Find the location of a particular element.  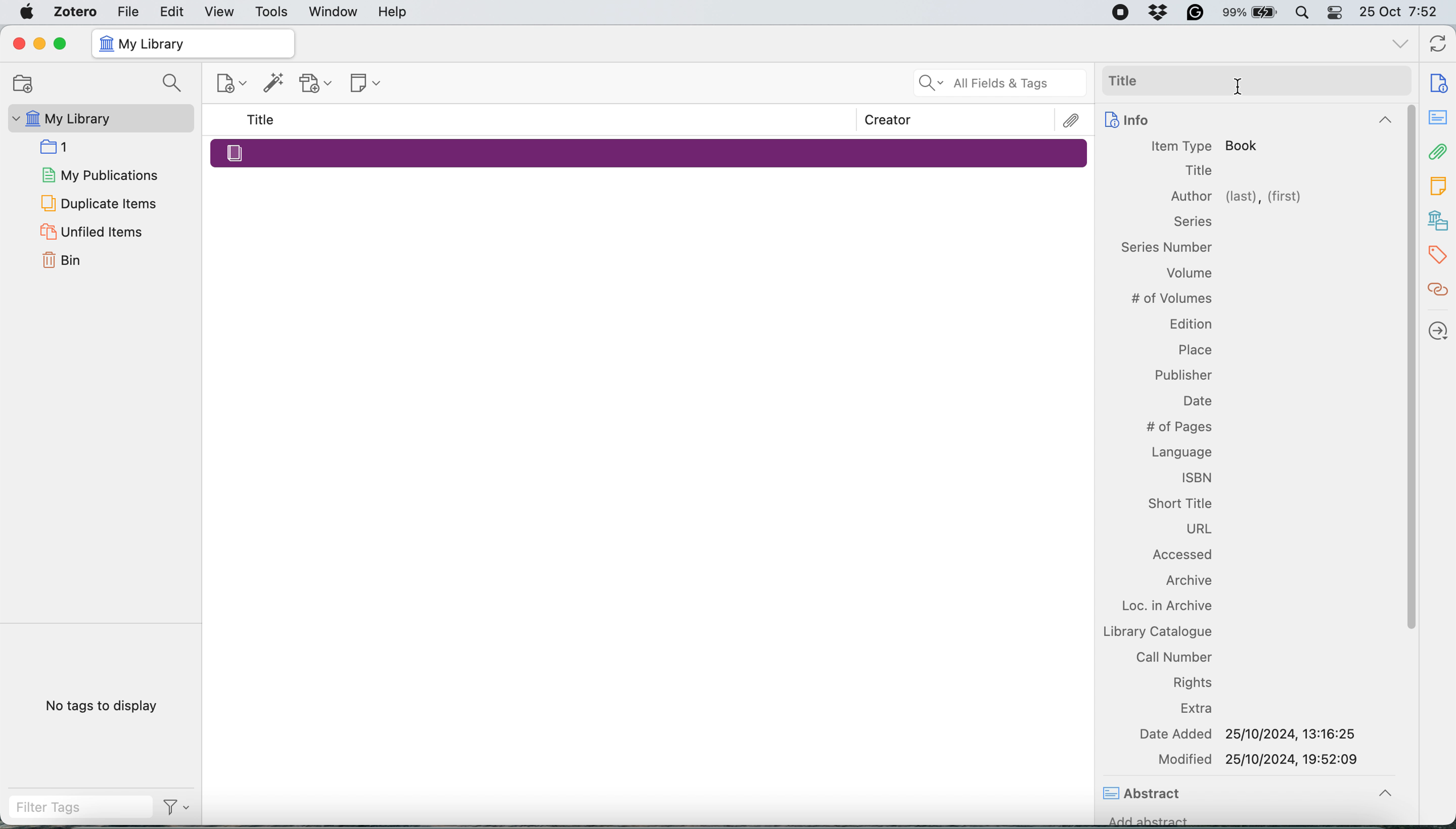

Close is located at coordinates (18, 43).